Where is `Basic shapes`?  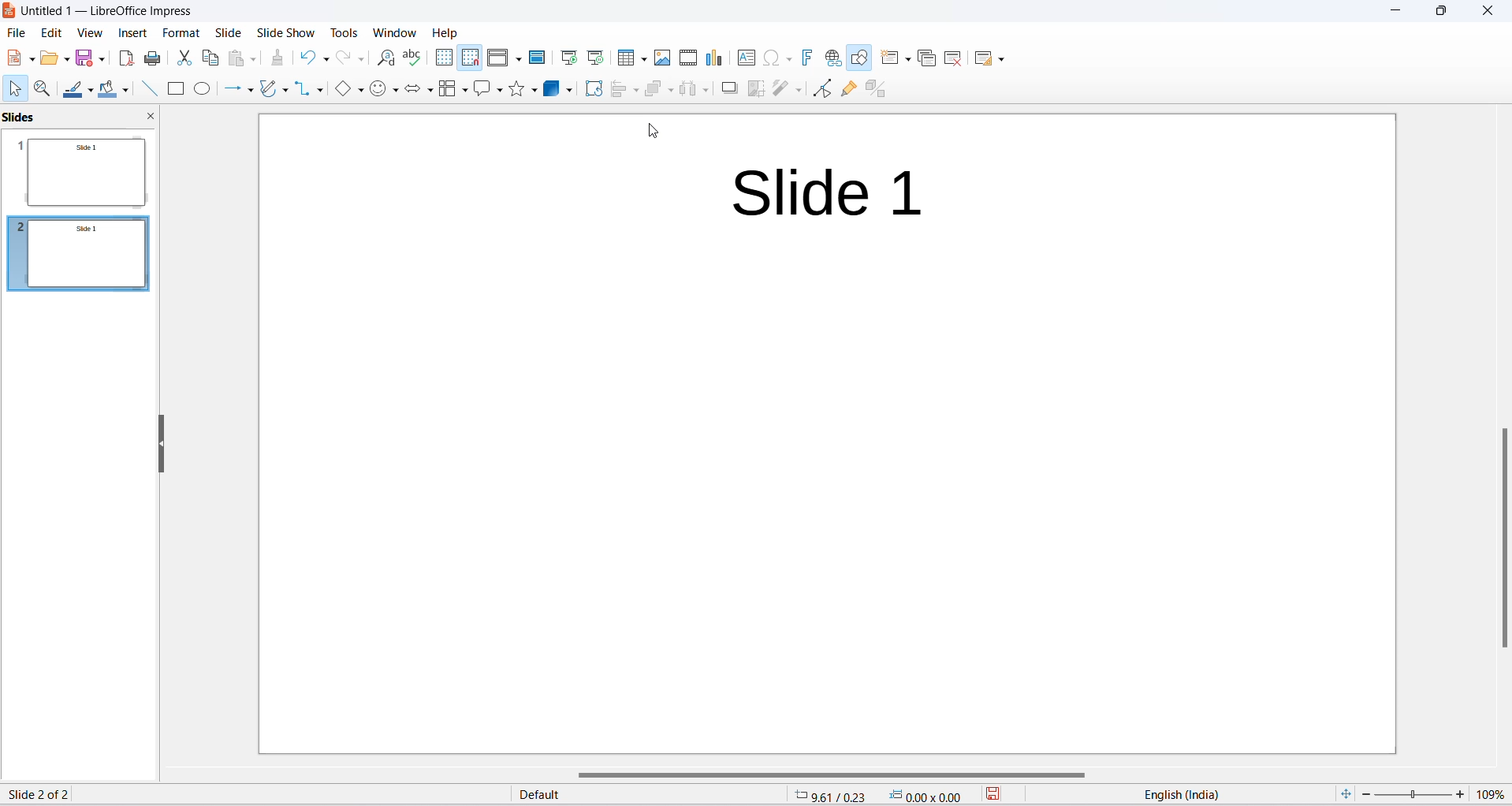
Basic shapes is located at coordinates (345, 90).